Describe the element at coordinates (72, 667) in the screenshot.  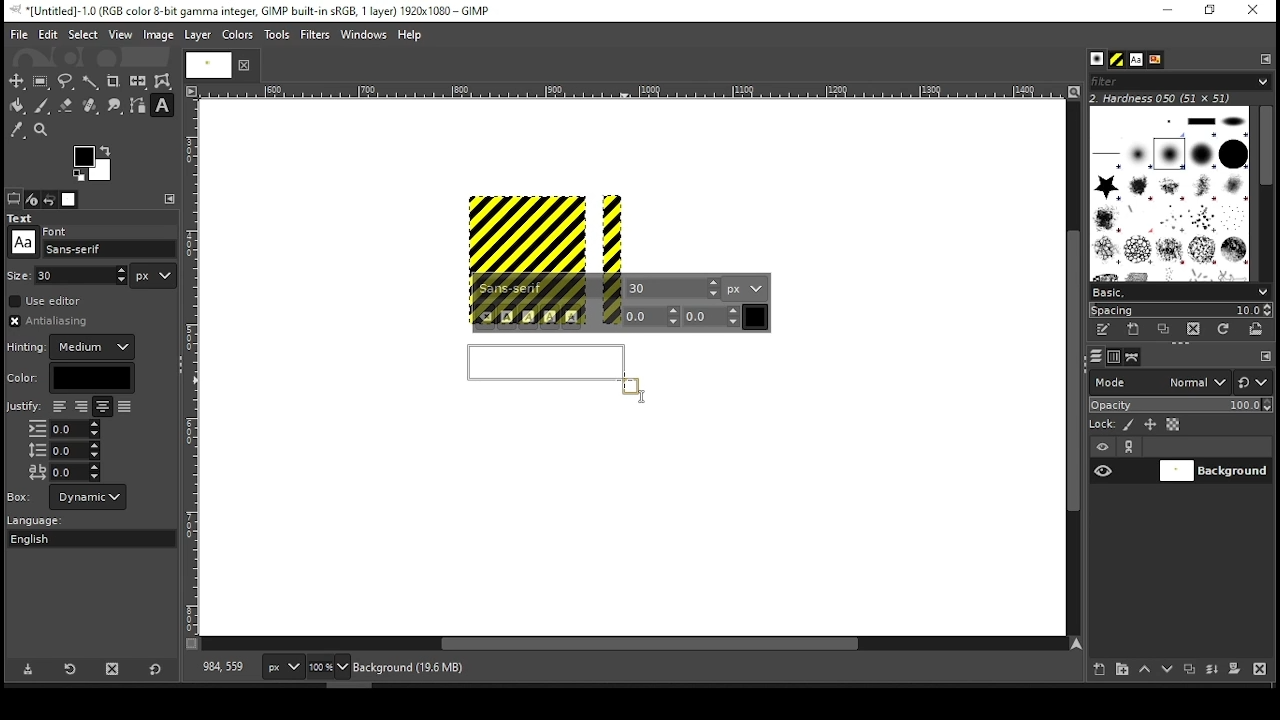
I see `restore tool preset` at that location.